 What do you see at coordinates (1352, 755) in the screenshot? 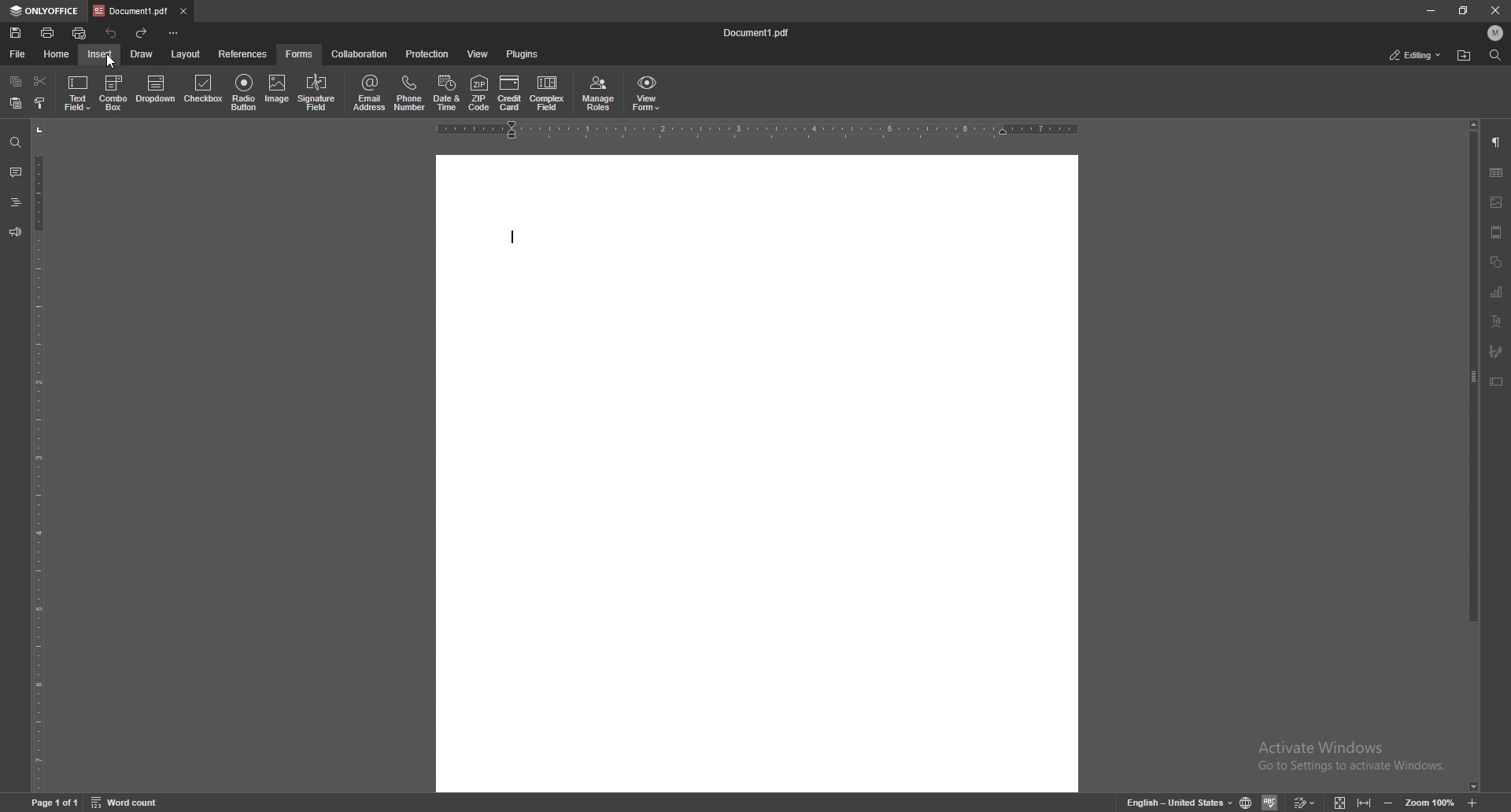
I see `Activate windows` at bounding box center [1352, 755].